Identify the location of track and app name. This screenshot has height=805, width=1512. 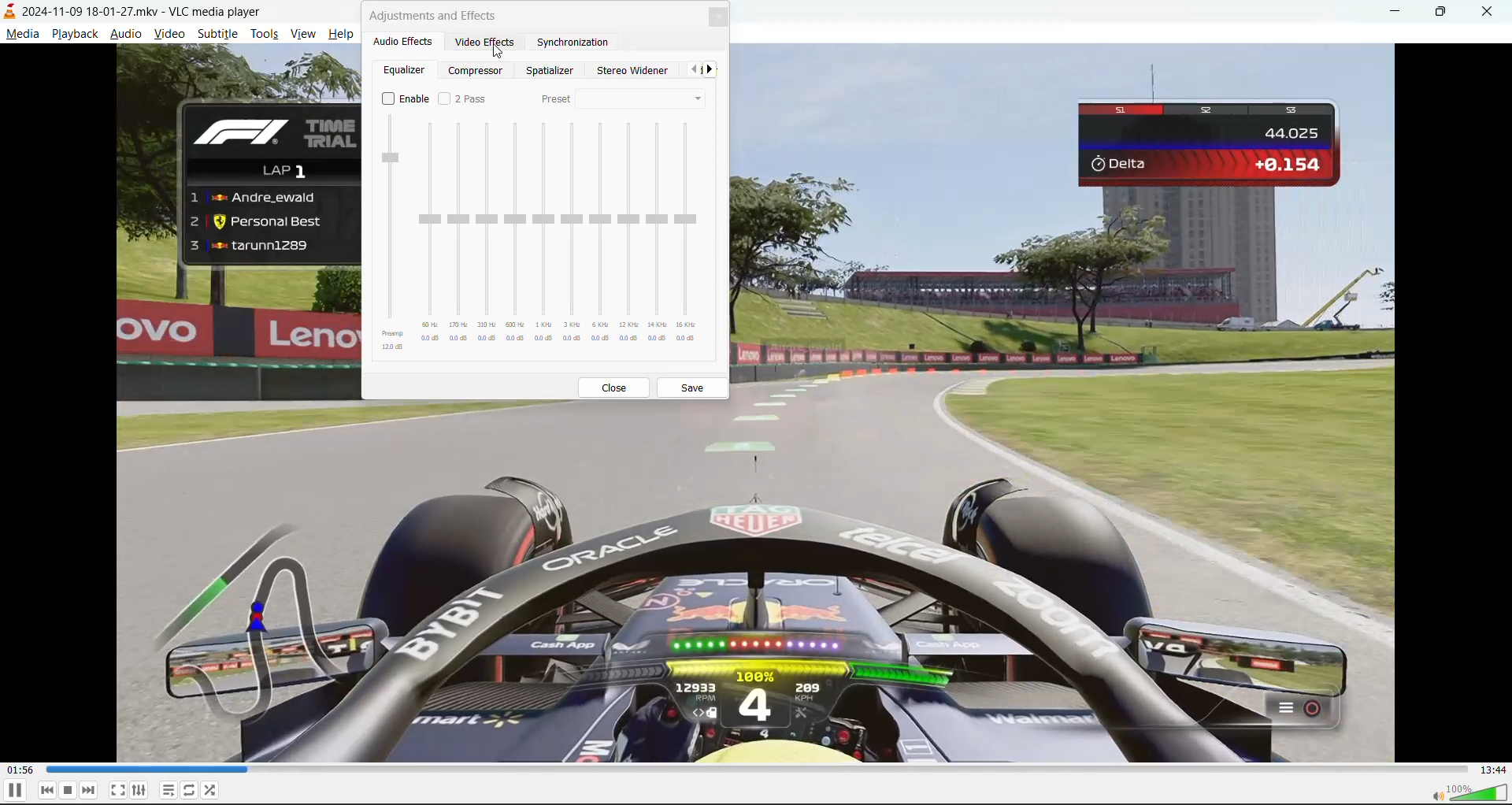
(134, 9).